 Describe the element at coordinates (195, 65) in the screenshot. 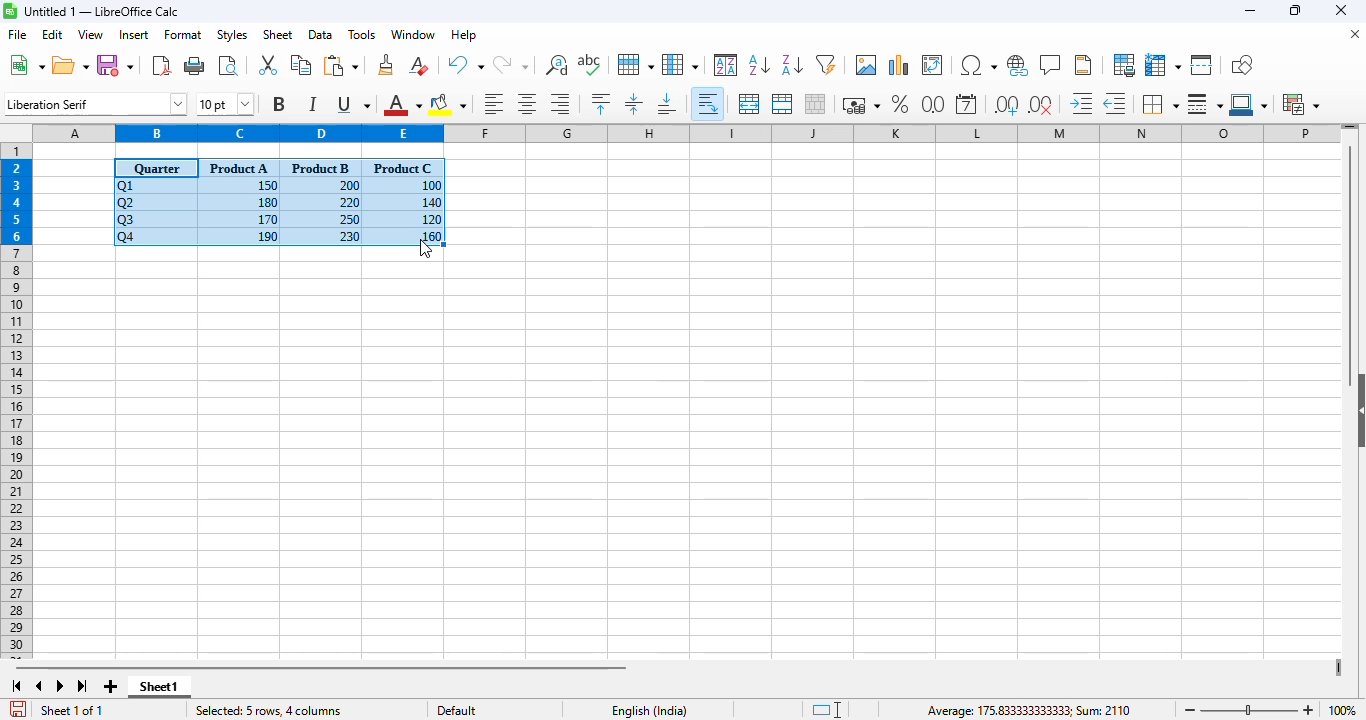

I see `print` at that location.